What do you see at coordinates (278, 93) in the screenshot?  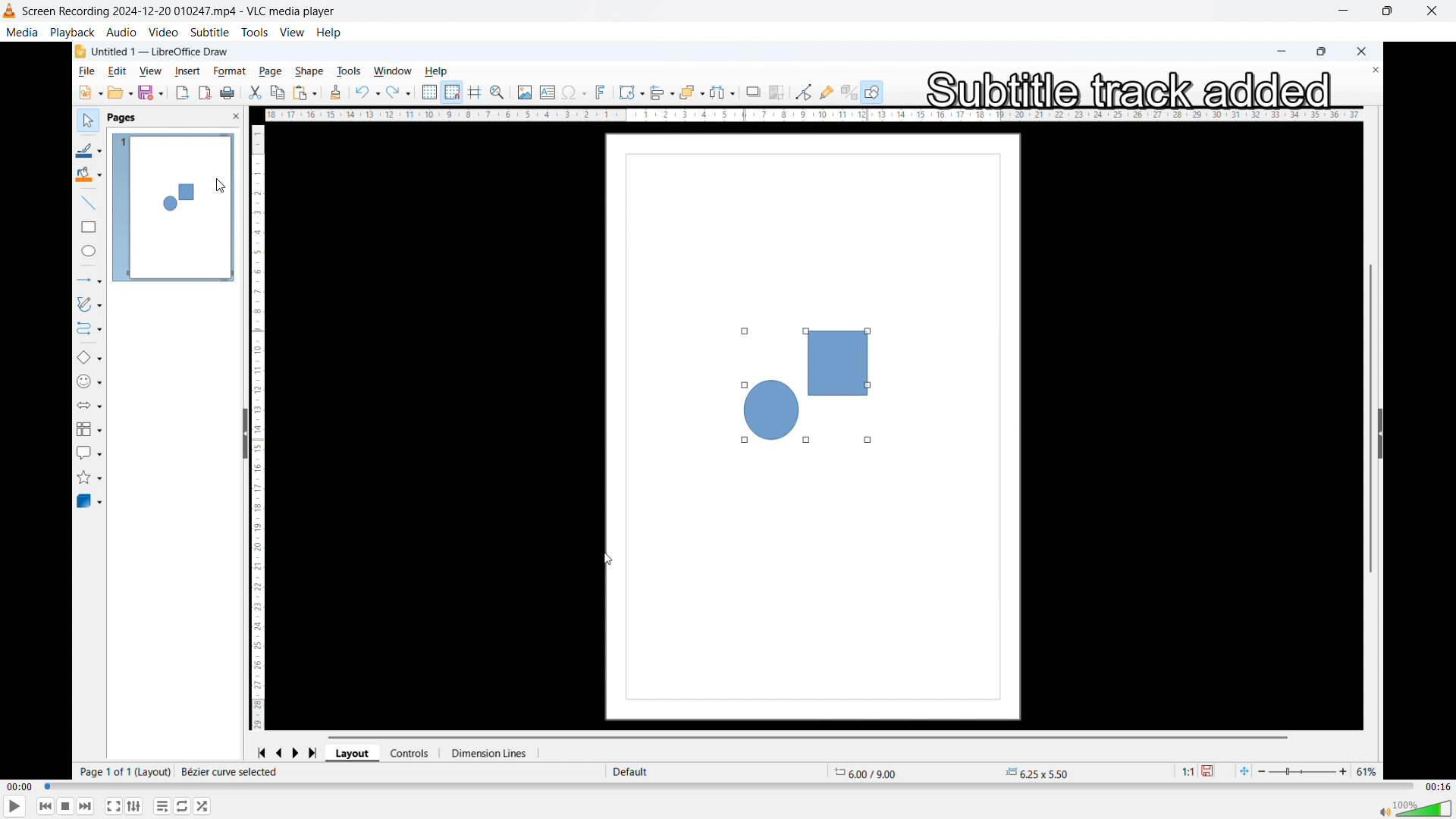 I see `copy` at bounding box center [278, 93].